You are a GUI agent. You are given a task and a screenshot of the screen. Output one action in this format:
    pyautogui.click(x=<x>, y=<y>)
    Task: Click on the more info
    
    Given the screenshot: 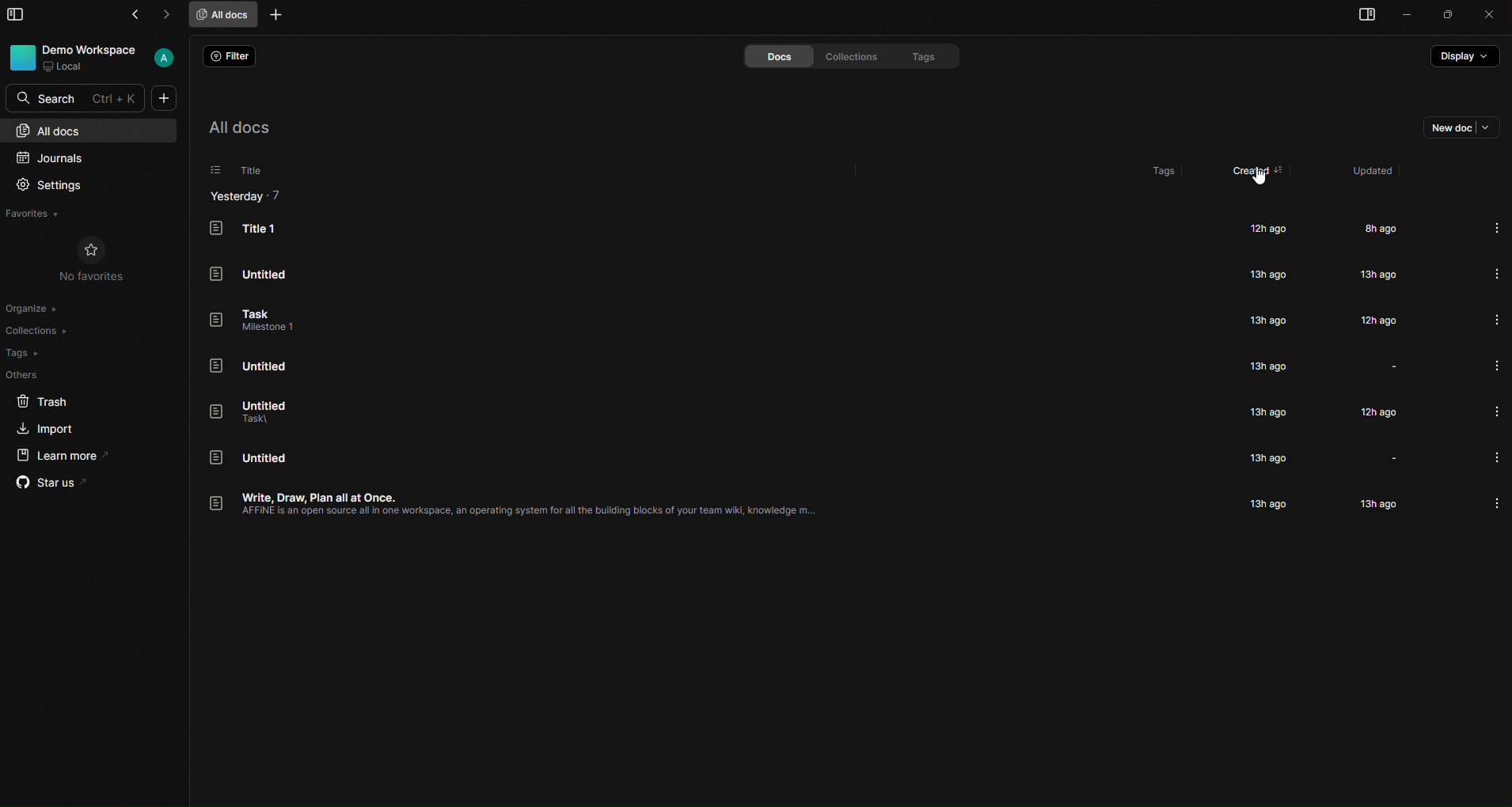 What is the action you would take?
    pyautogui.click(x=1495, y=456)
    